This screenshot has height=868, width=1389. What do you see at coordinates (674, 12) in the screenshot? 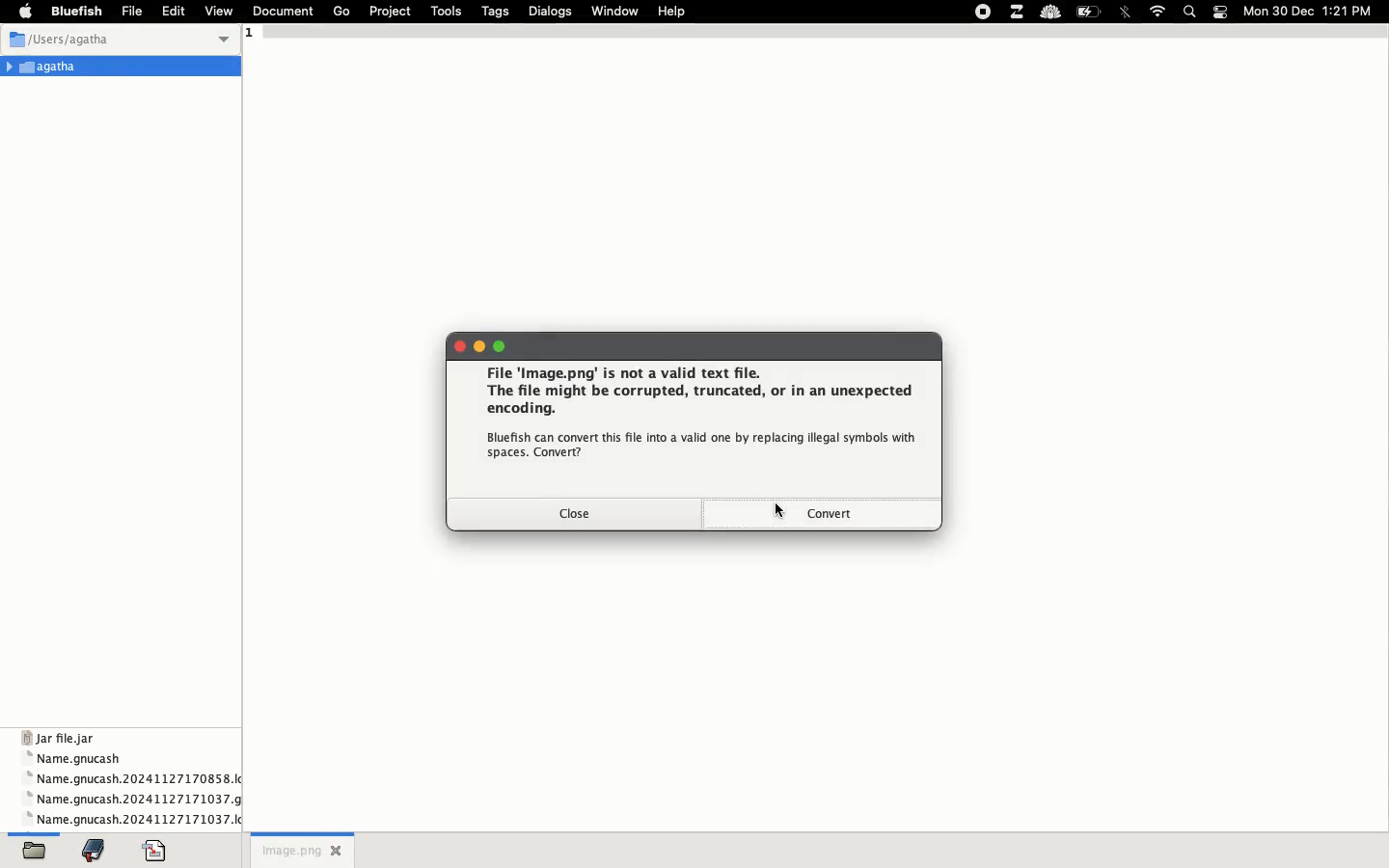
I see `help` at bounding box center [674, 12].